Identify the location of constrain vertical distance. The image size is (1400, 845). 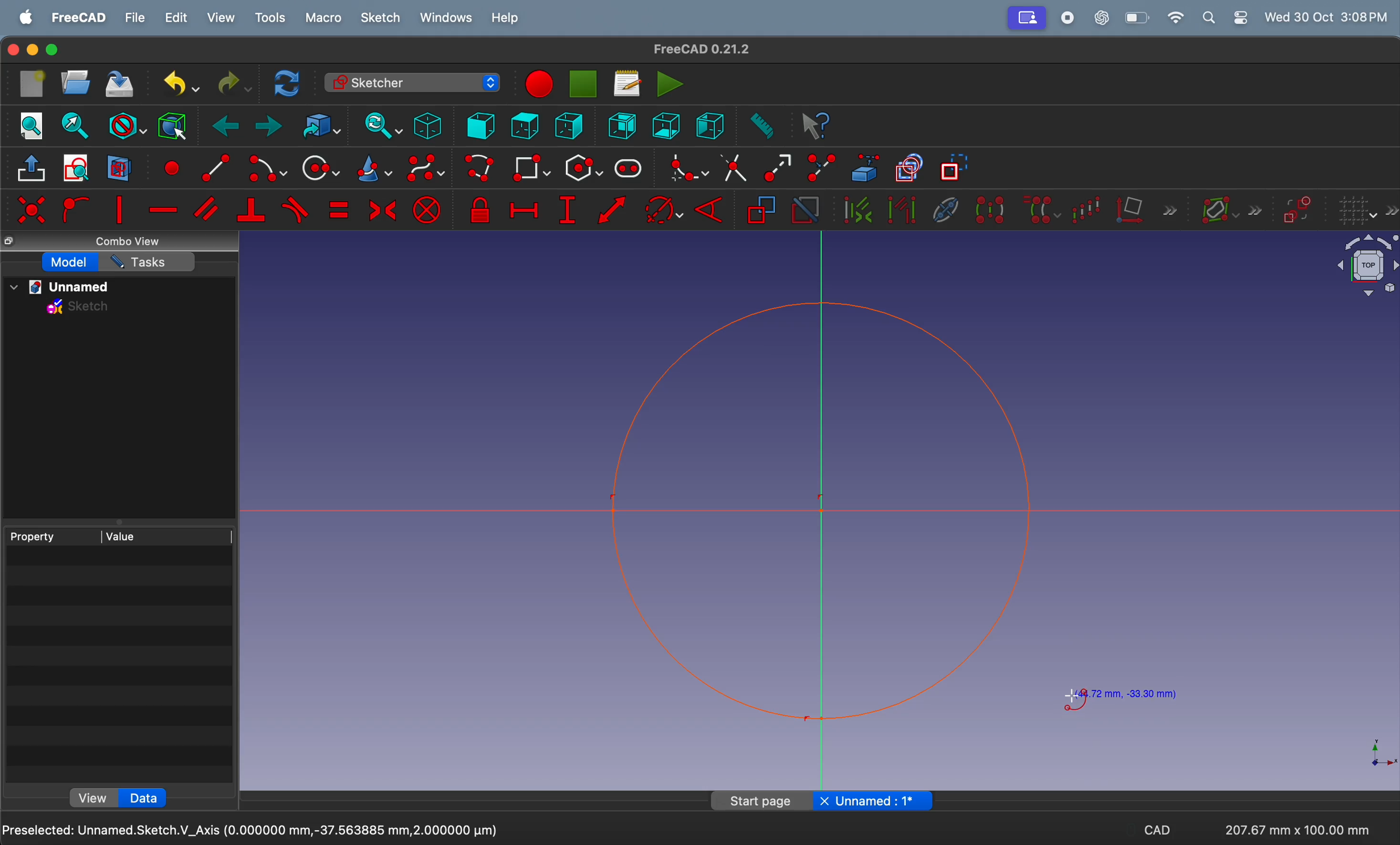
(567, 210).